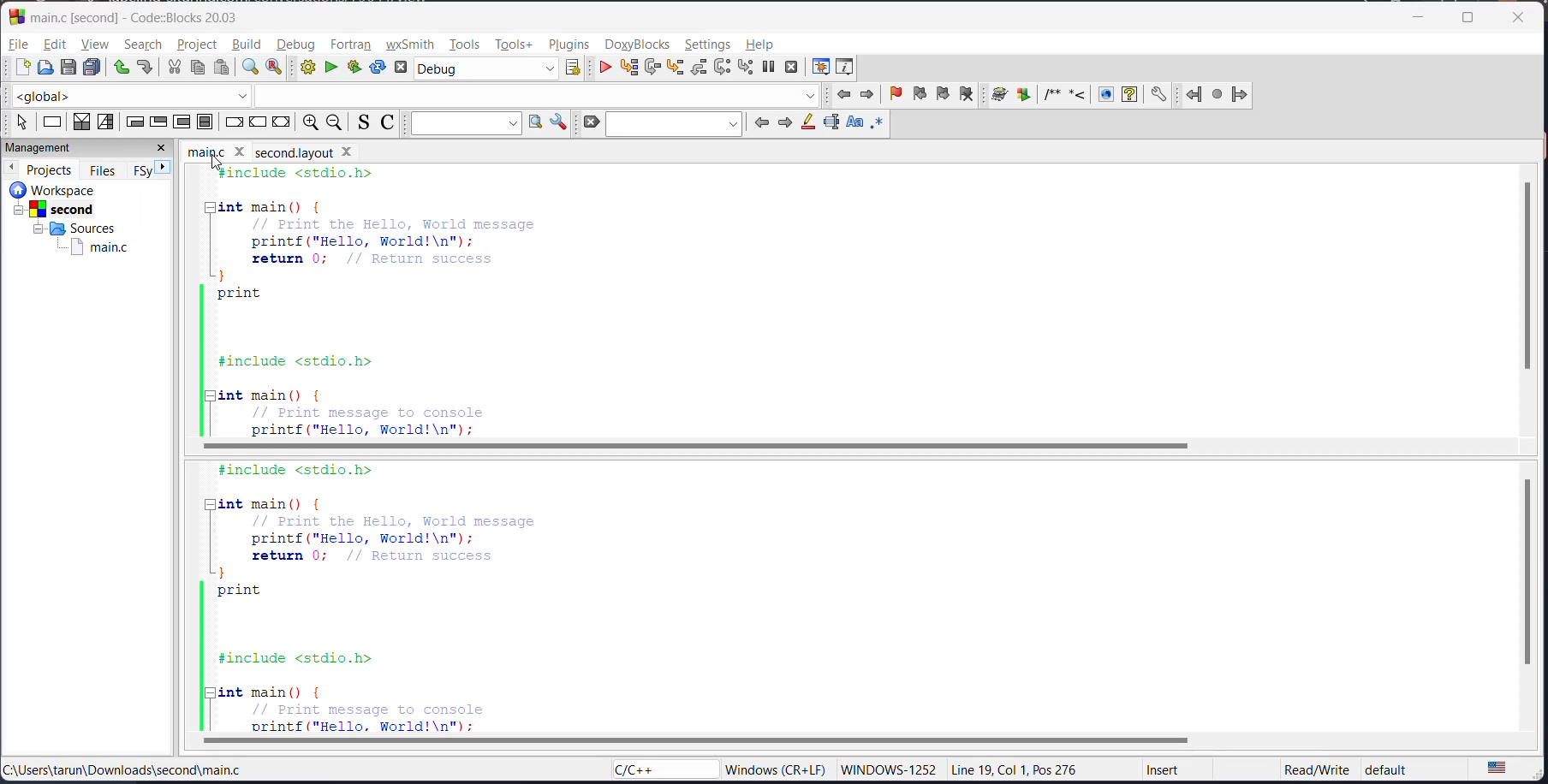 Image resolution: width=1548 pixels, height=784 pixels. Describe the element at coordinates (330, 68) in the screenshot. I see `run` at that location.